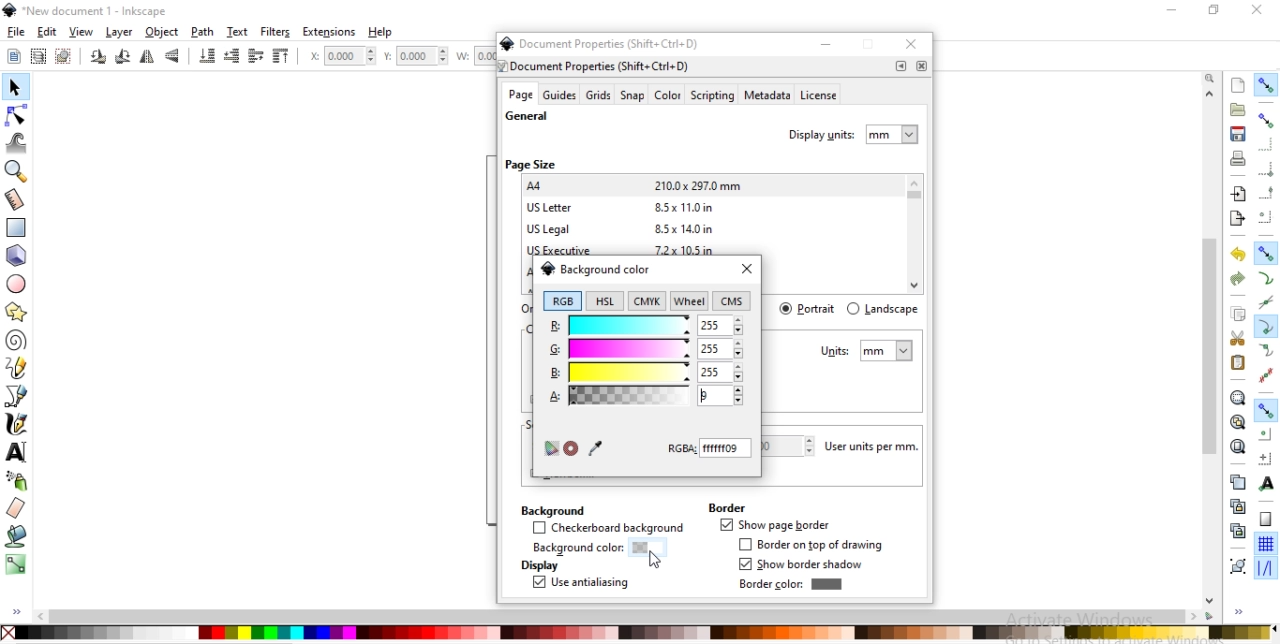 The height and width of the screenshot is (644, 1280). I want to click on tweak objects by sculpting or painting, so click(18, 142).